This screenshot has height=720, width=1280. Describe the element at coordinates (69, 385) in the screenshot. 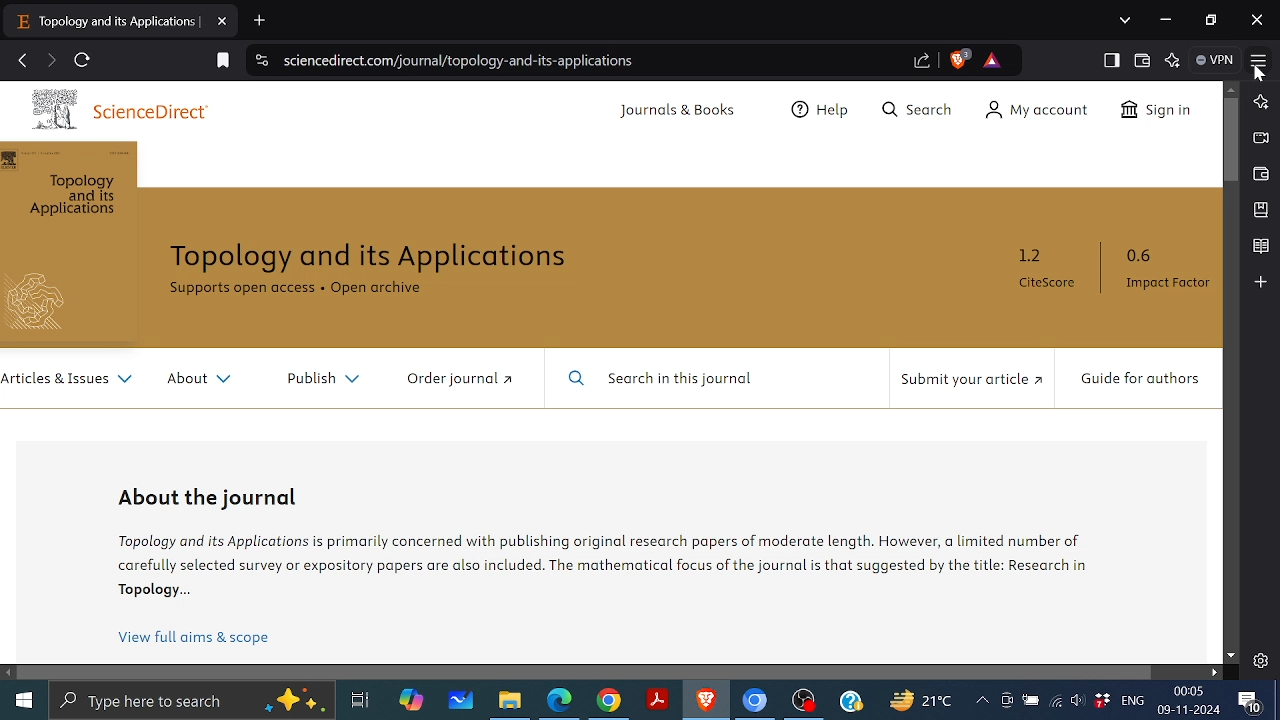

I see `Articles & issues` at that location.